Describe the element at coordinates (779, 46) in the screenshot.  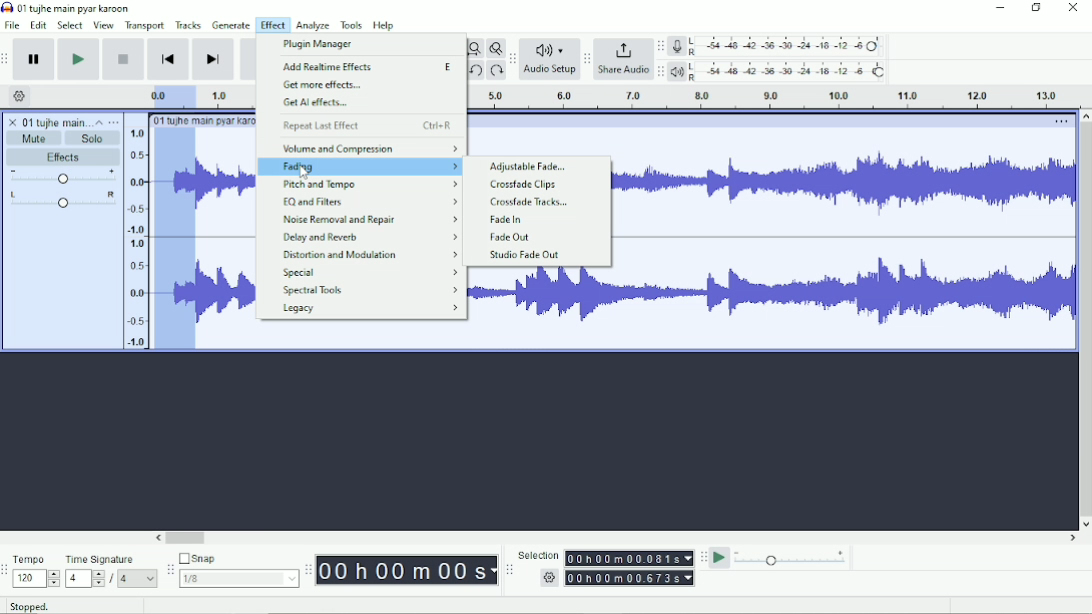
I see `Record Meter` at that location.